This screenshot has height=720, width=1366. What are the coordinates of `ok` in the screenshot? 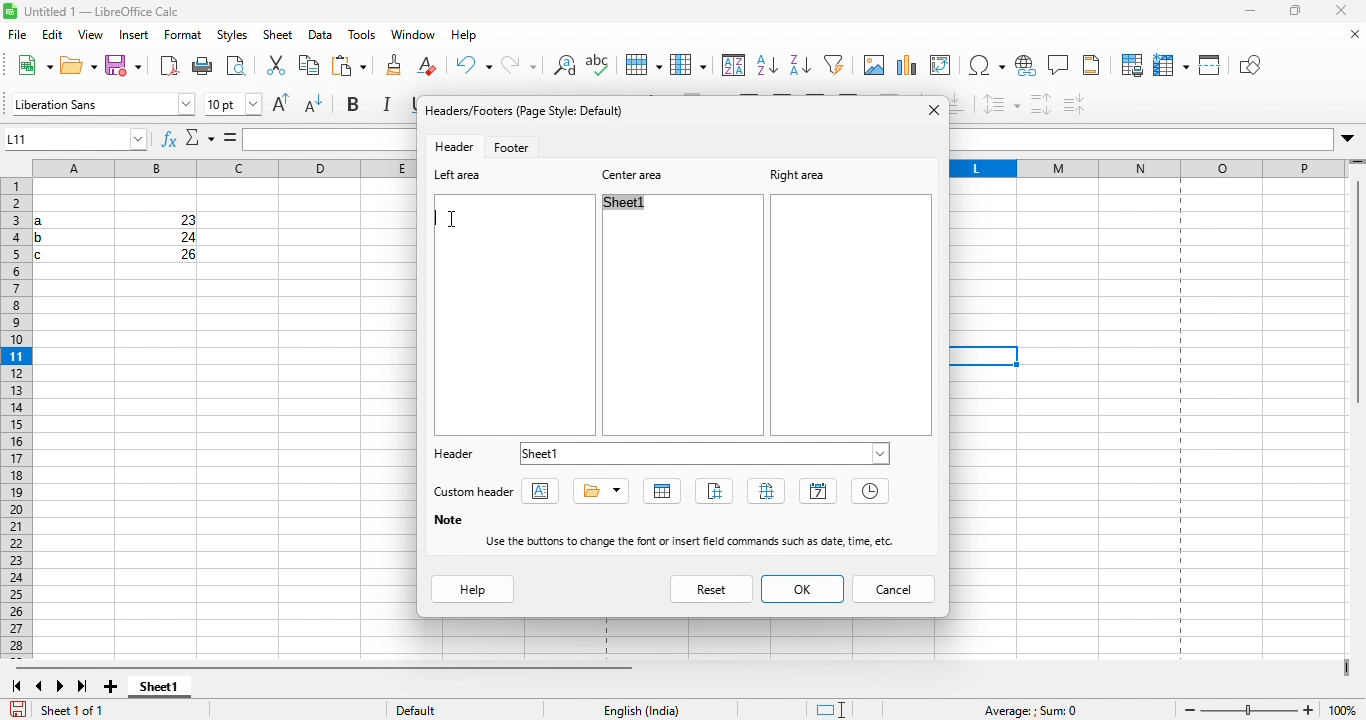 It's located at (800, 589).